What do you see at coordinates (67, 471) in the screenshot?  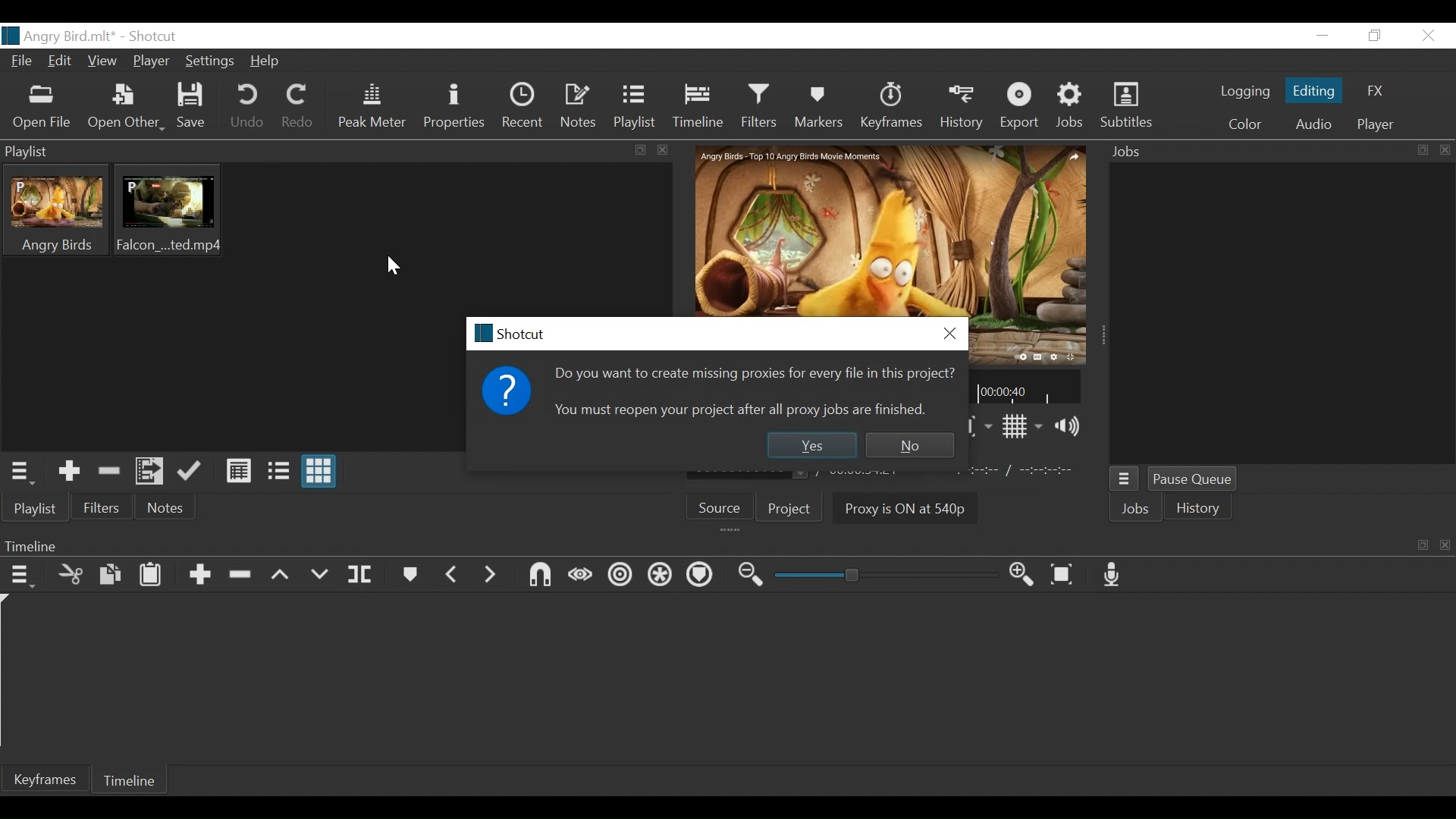 I see `Add the Source to the playlist` at bounding box center [67, 471].